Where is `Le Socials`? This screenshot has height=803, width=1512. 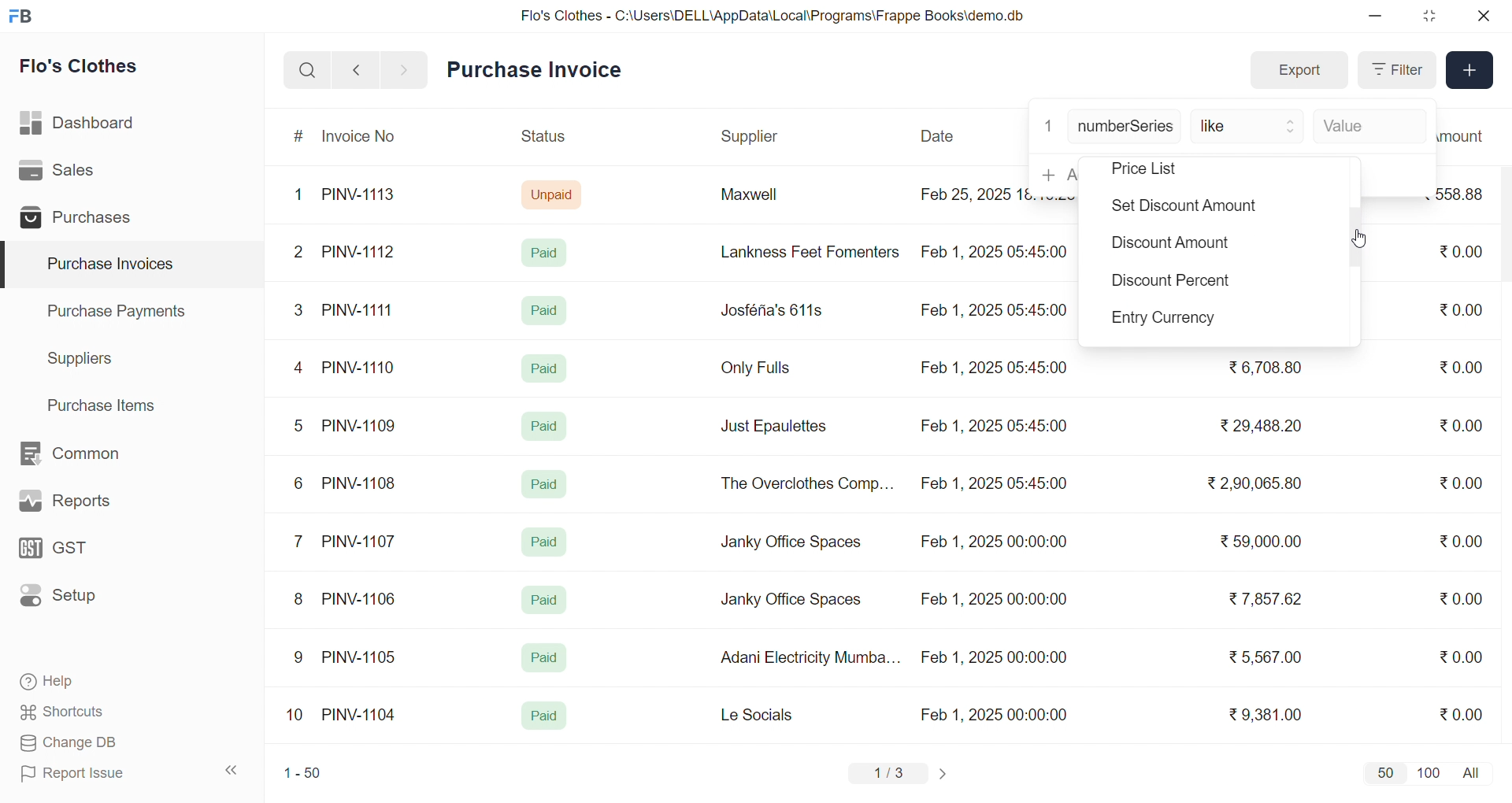
Le Socials is located at coordinates (770, 714).